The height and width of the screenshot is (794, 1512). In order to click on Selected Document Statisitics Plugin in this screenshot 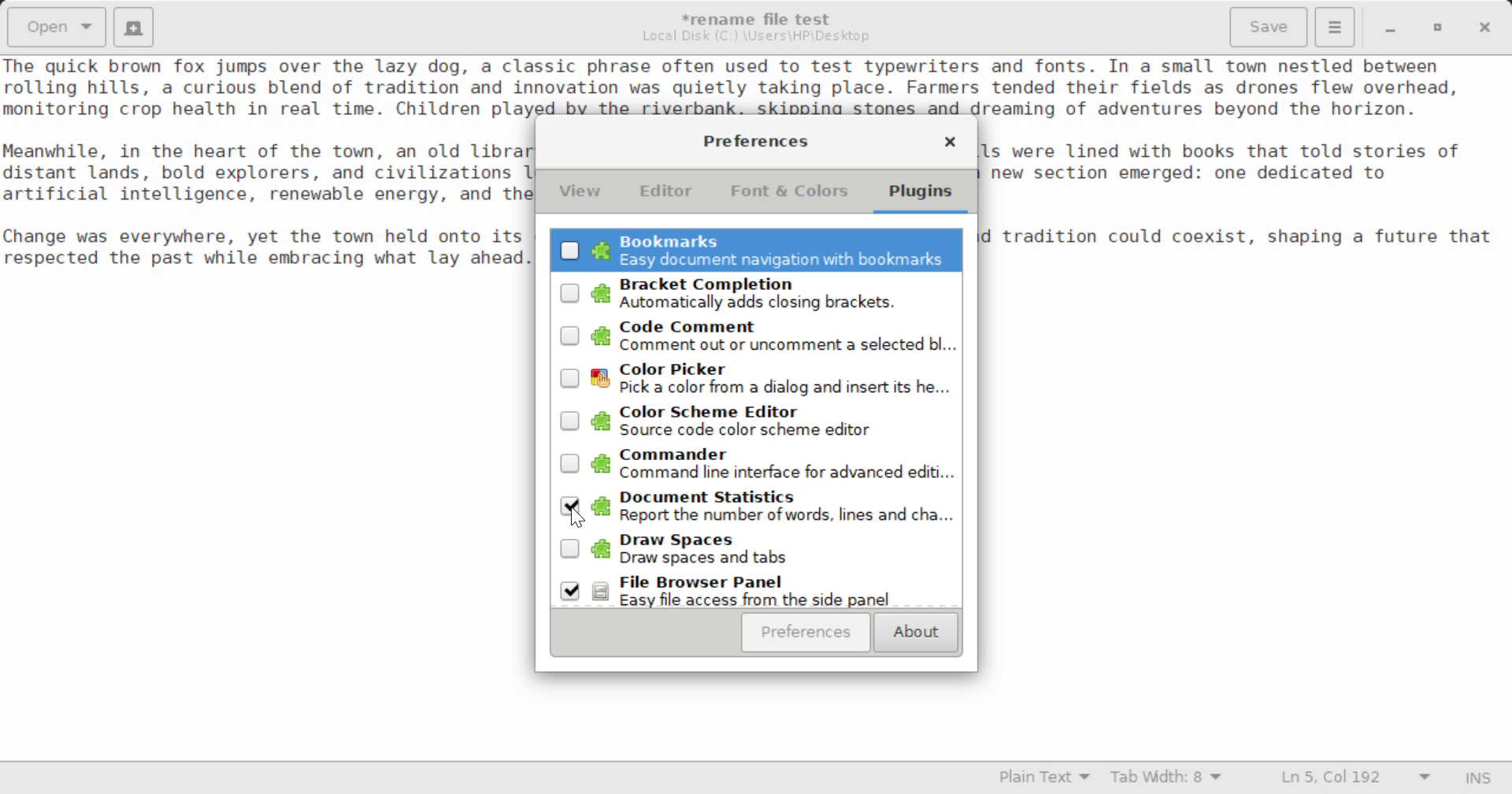, I will do `click(756, 509)`.